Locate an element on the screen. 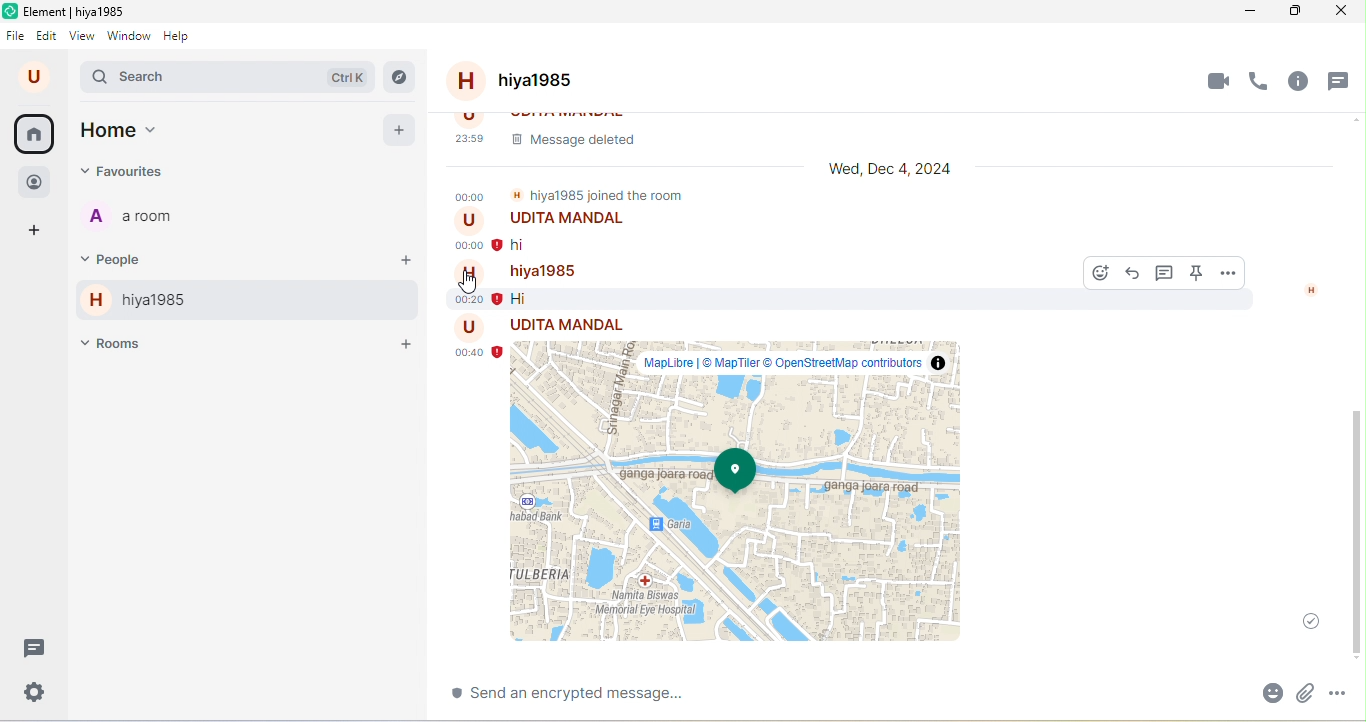  hiya 1985 is located at coordinates (534, 82).